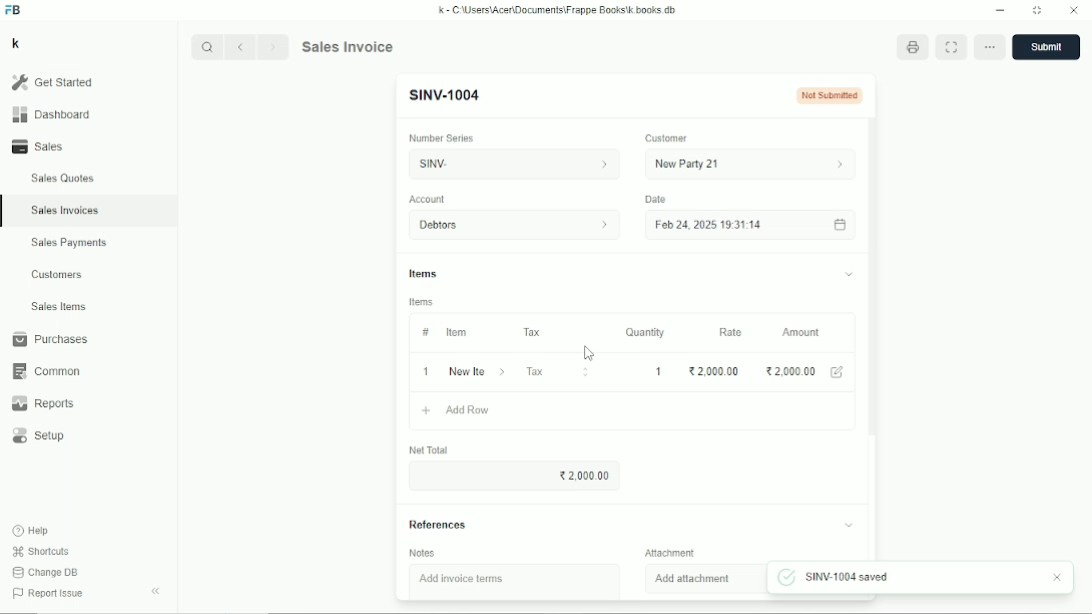 Image resolution: width=1092 pixels, height=614 pixels. What do you see at coordinates (802, 332) in the screenshot?
I see `Amount` at bounding box center [802, 332].